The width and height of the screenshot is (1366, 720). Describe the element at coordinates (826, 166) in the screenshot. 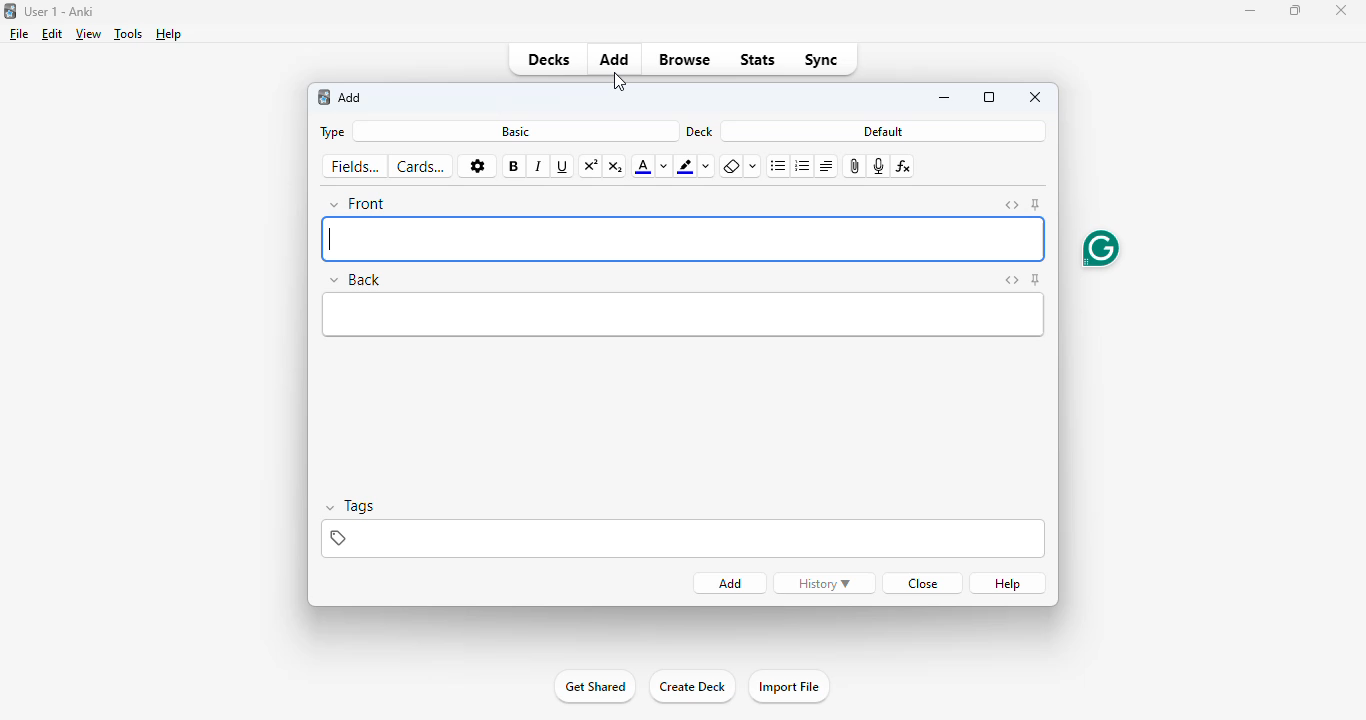

I see `alignment` at that location.